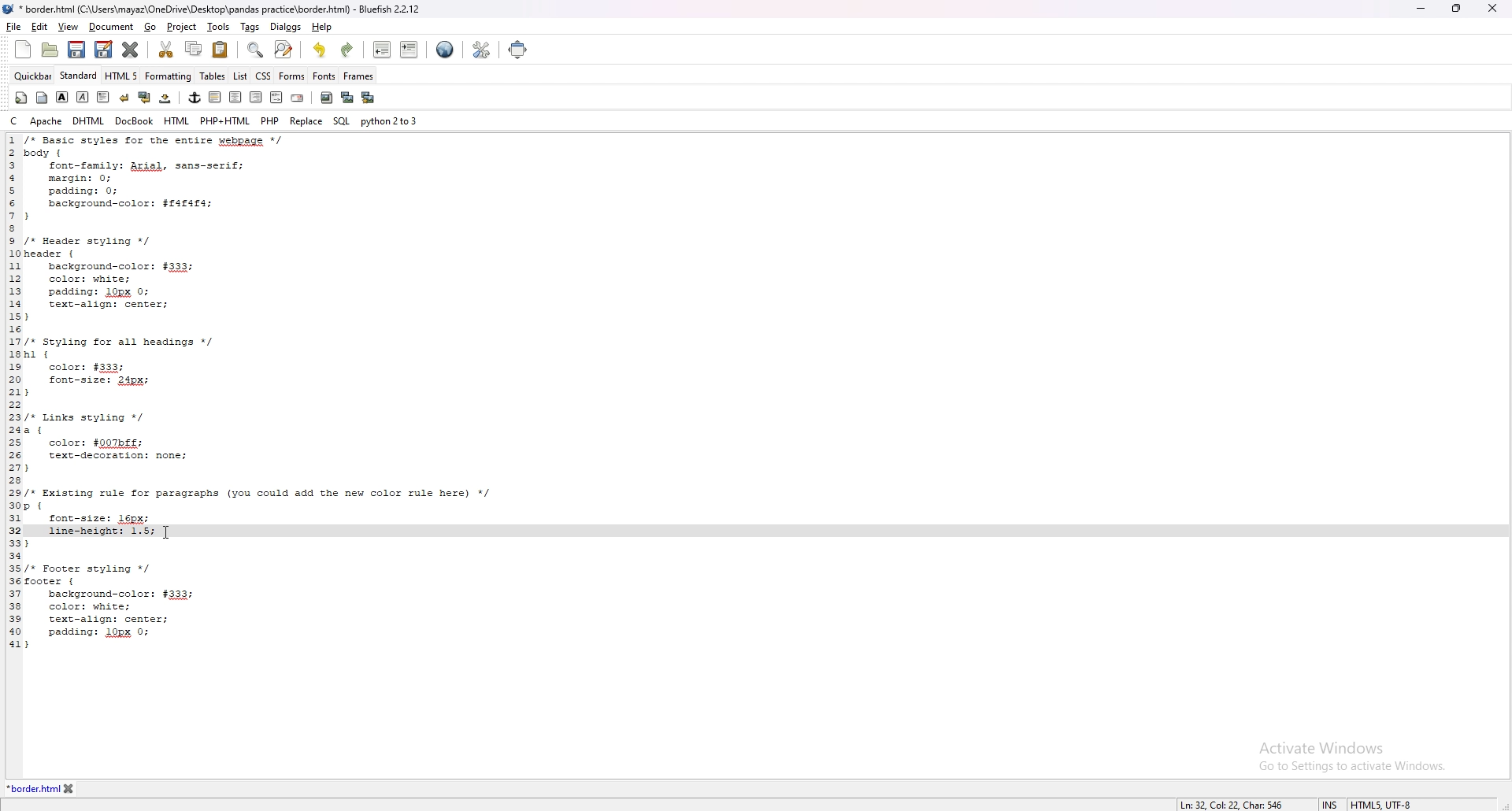 The width and height of the screenshot is (1512, 811). What do you see at coordinates (77, 50) in the screenshot?
I see `save` at bounding box center [77, 50].